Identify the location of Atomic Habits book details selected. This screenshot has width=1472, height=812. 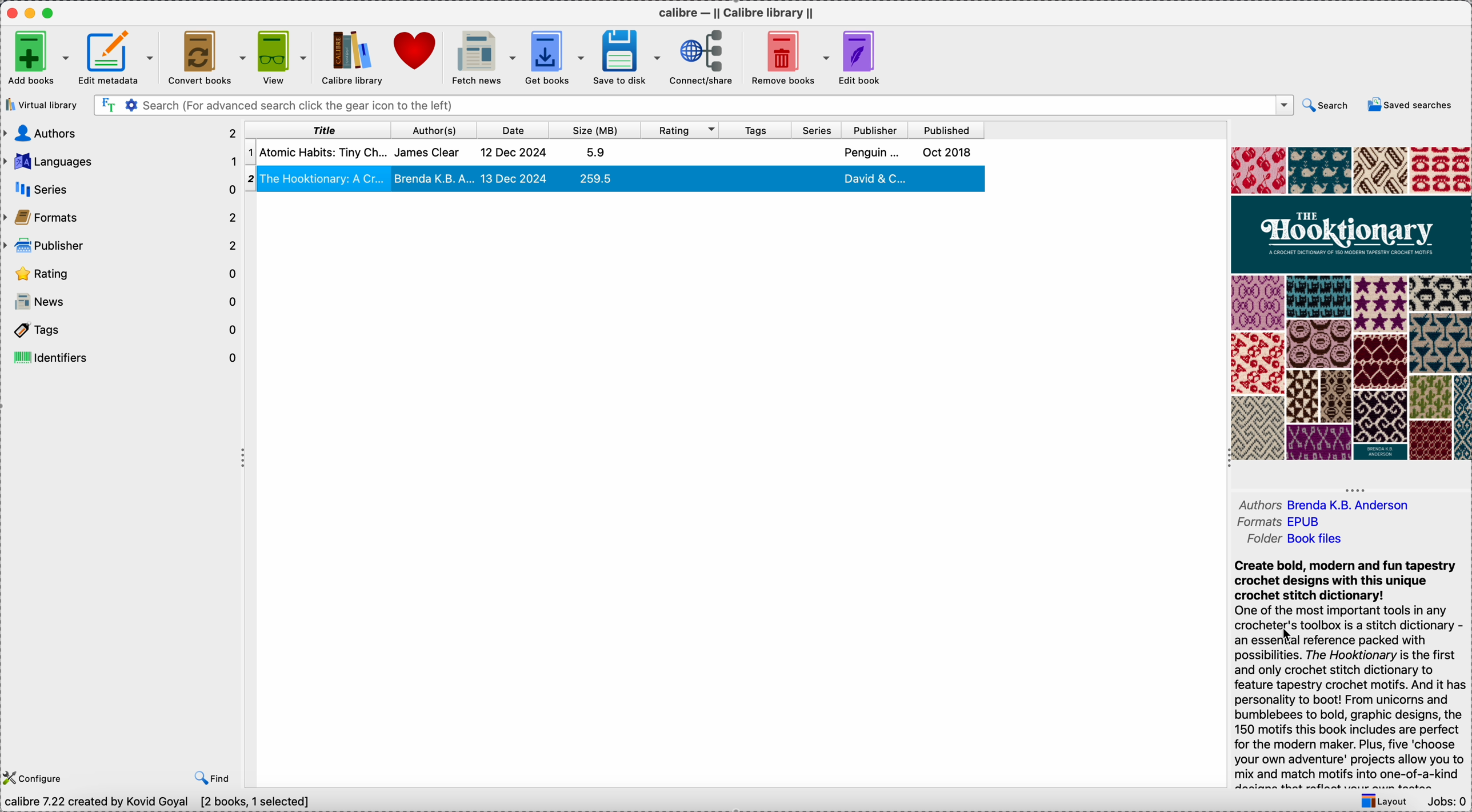
(620, 155).